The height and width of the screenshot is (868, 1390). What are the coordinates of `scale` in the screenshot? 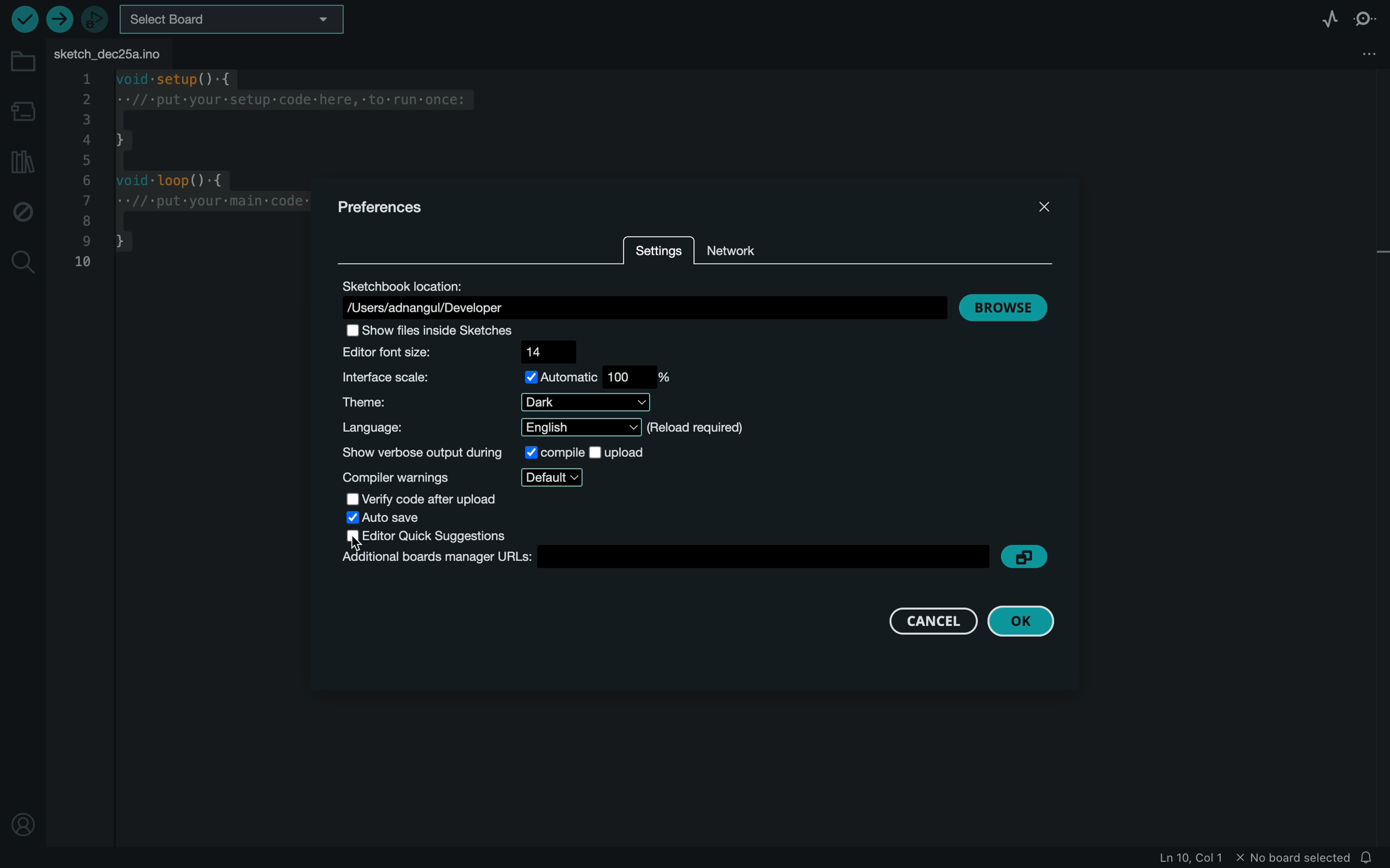 It's located at (508, 377).